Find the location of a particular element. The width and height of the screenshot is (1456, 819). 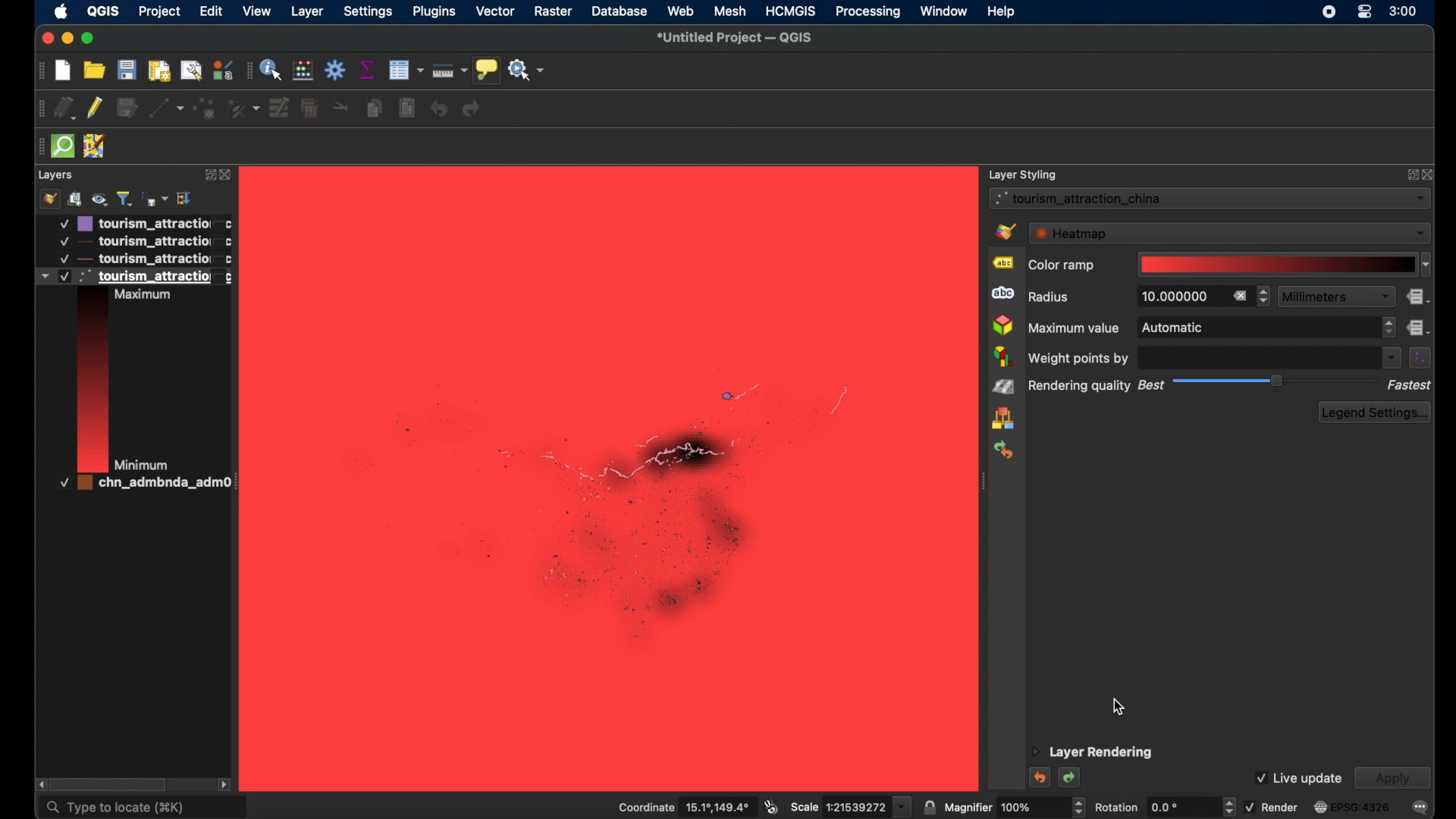

layers is located at coordinates (56, 175).